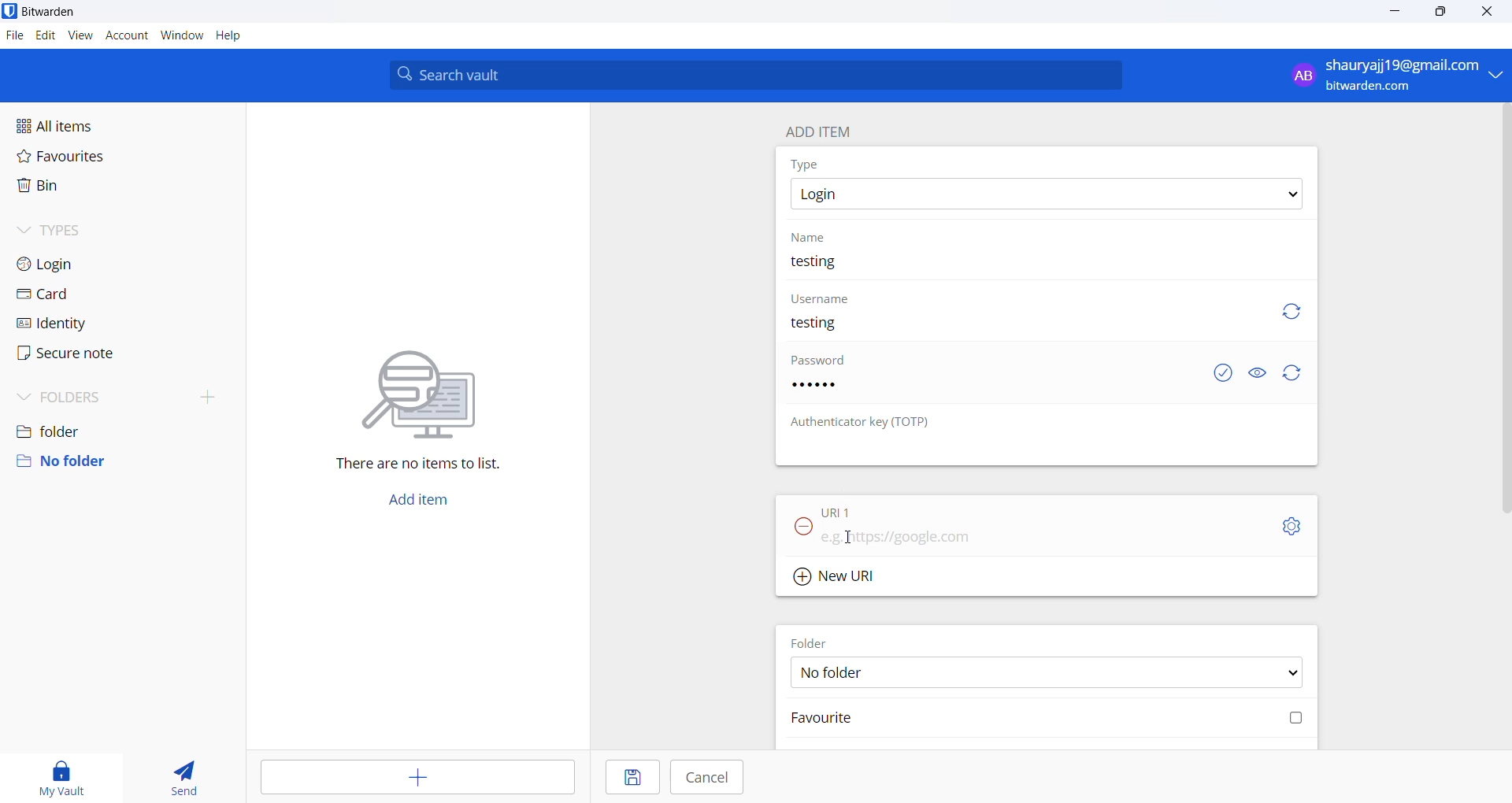  I want to click on name heading, so click(814, 237).